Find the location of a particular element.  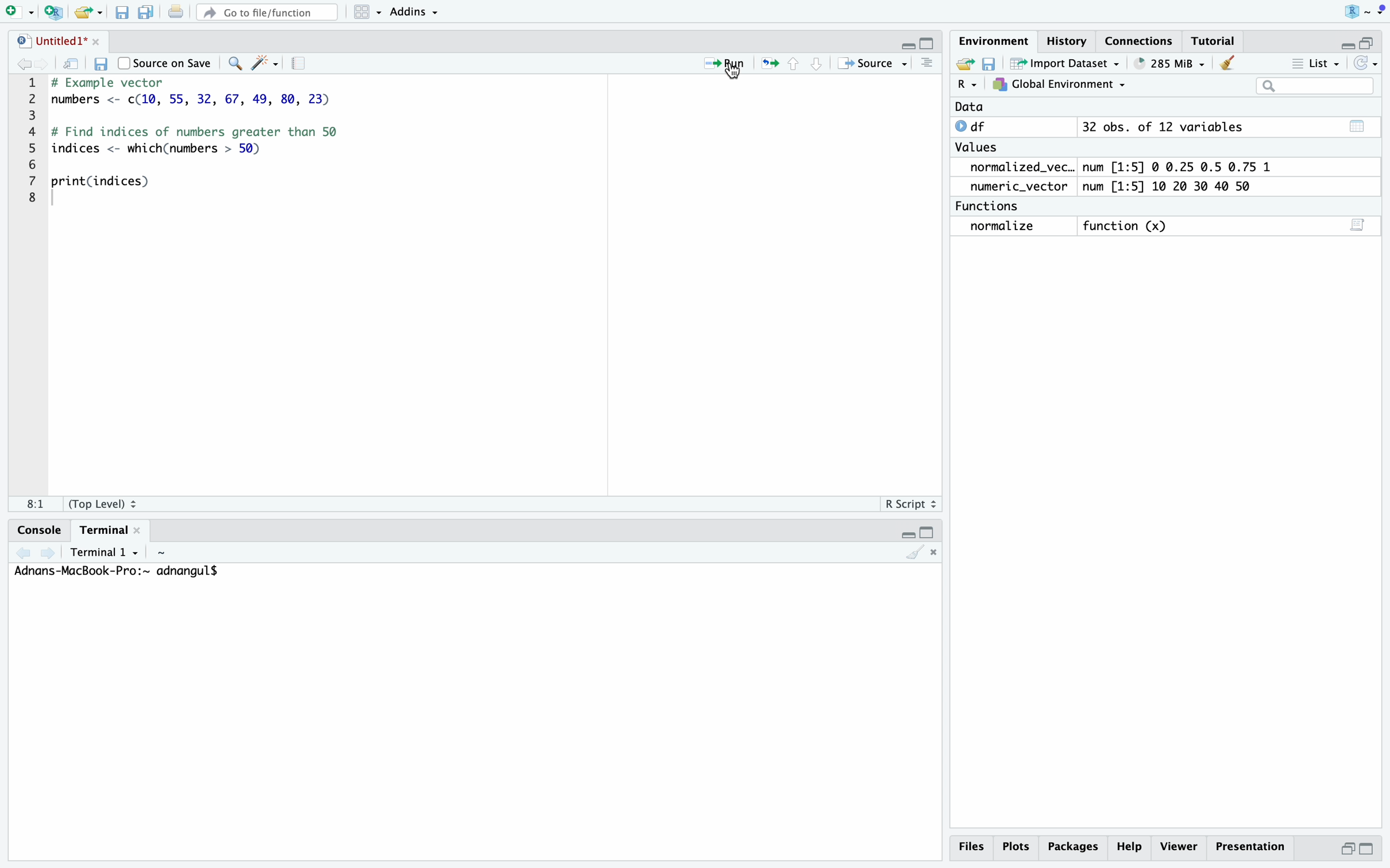

Environment is located at coordinates (993, 42).